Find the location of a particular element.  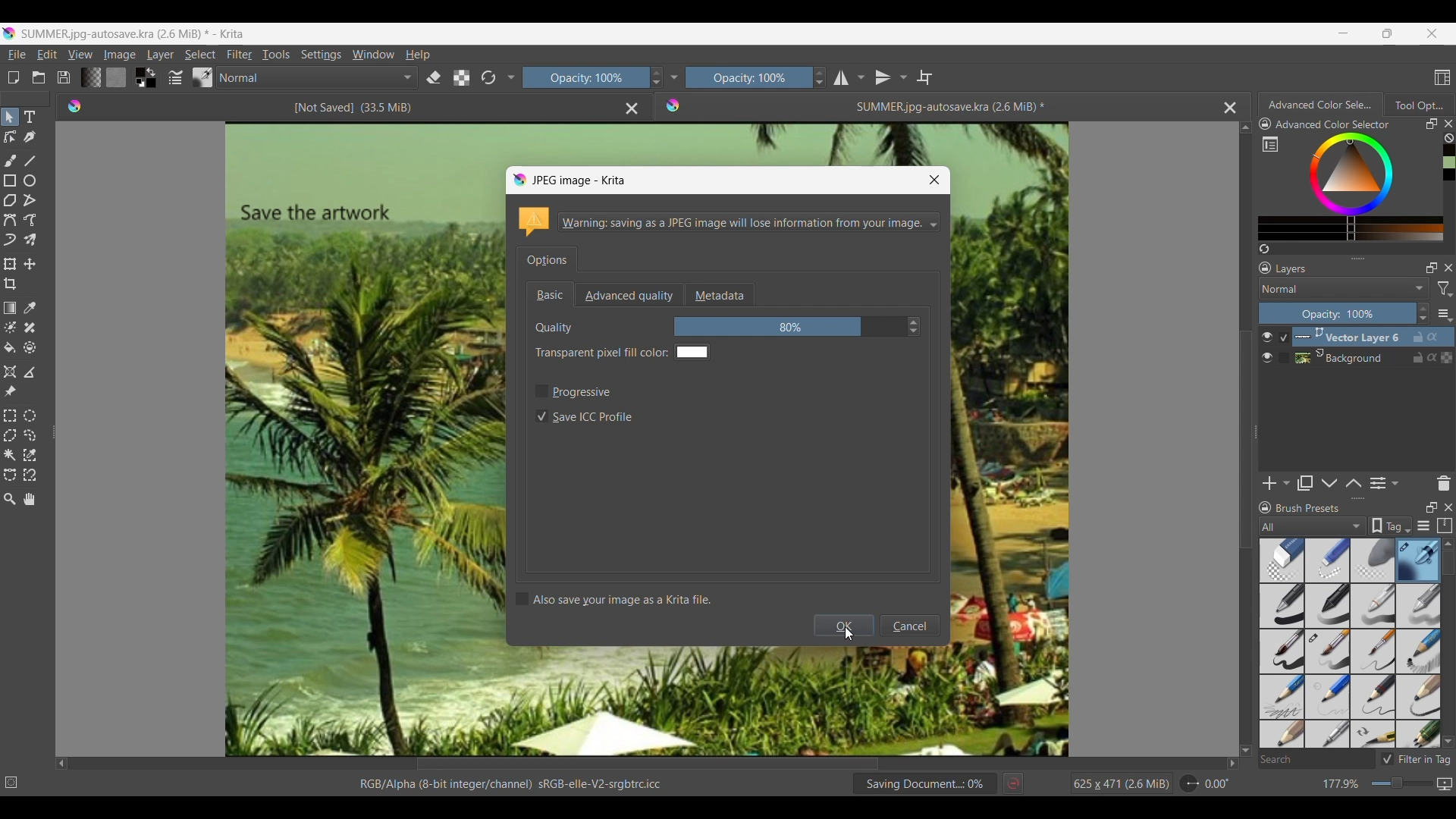

Change percentage of opacity is located at coordinates (1337, 313).